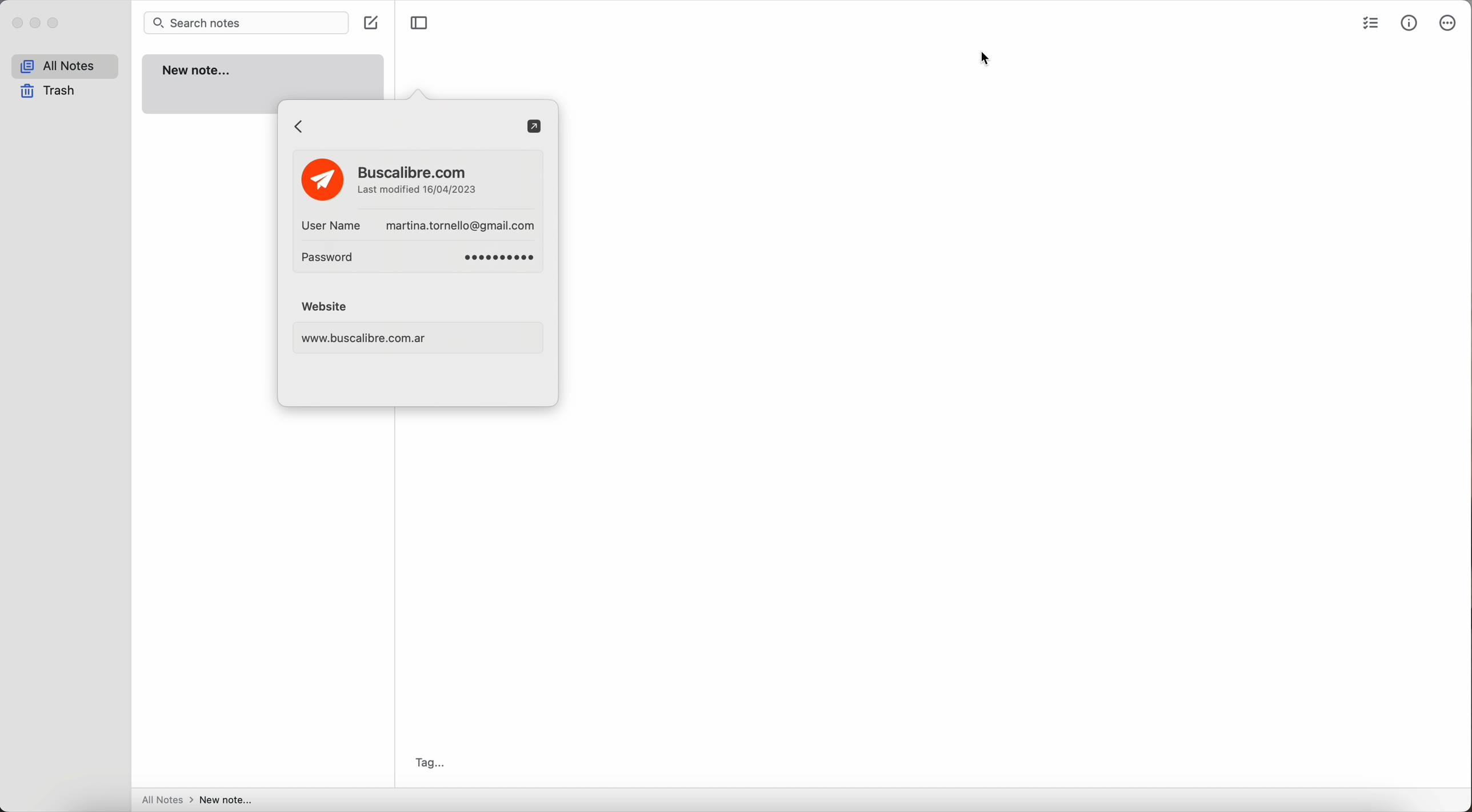  Describe the element at coordinates (1370, 25) in the screenshot. I see `check list` at that location.